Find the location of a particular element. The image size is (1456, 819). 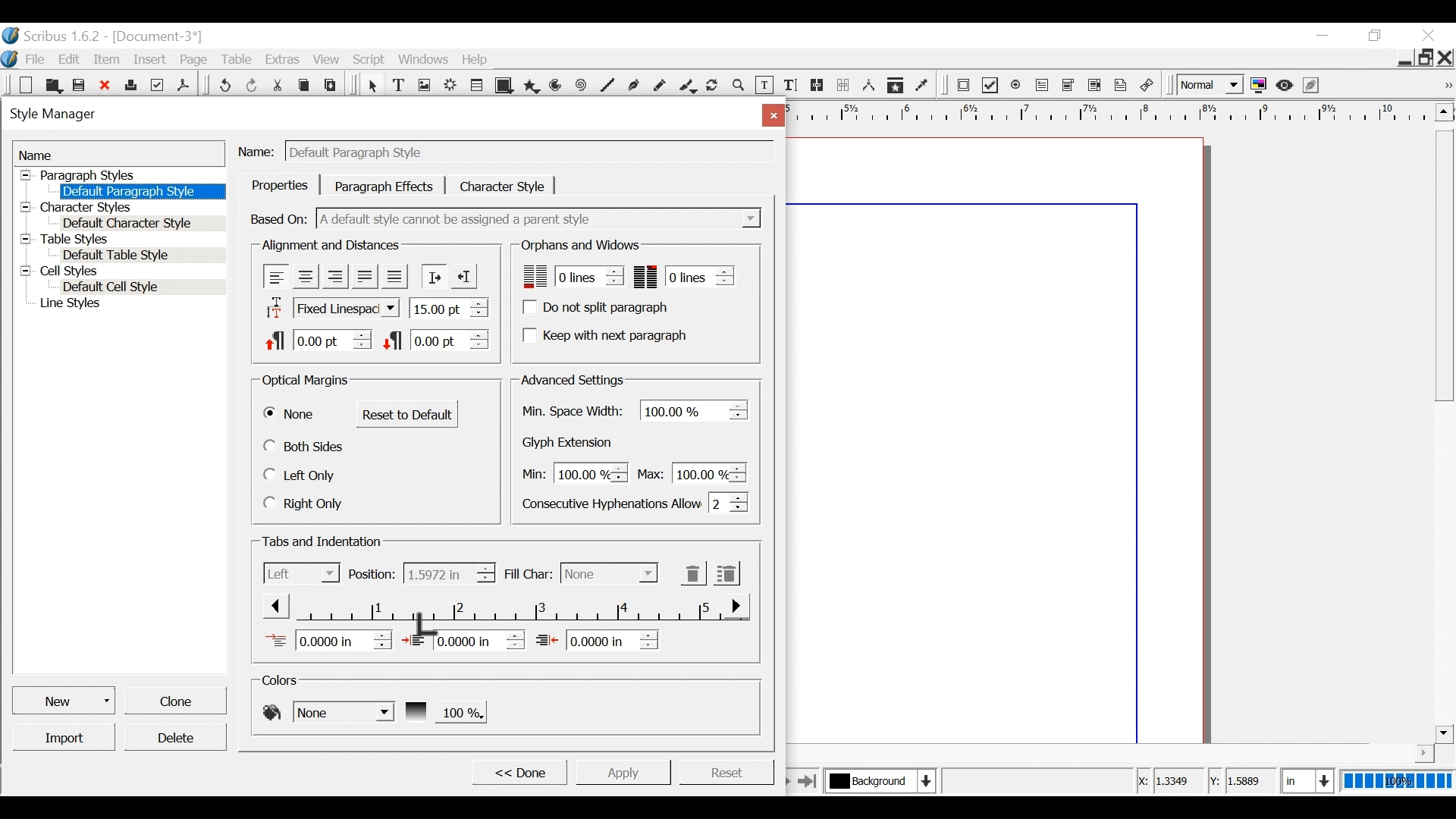

Push indent Right is located at coordinates (433, 276).